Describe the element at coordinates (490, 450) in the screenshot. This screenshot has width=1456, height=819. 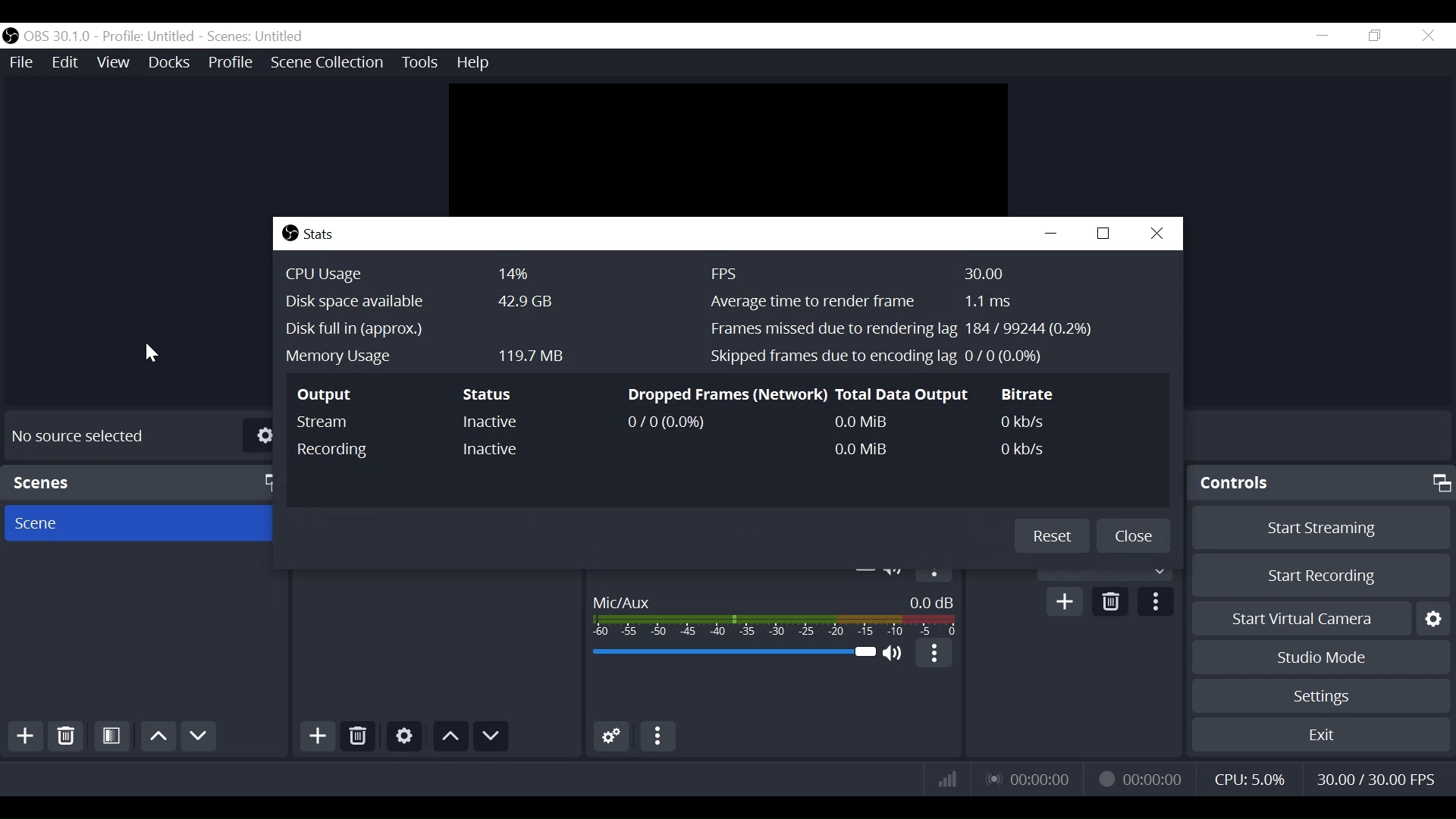
I see `Inactive` at that location.